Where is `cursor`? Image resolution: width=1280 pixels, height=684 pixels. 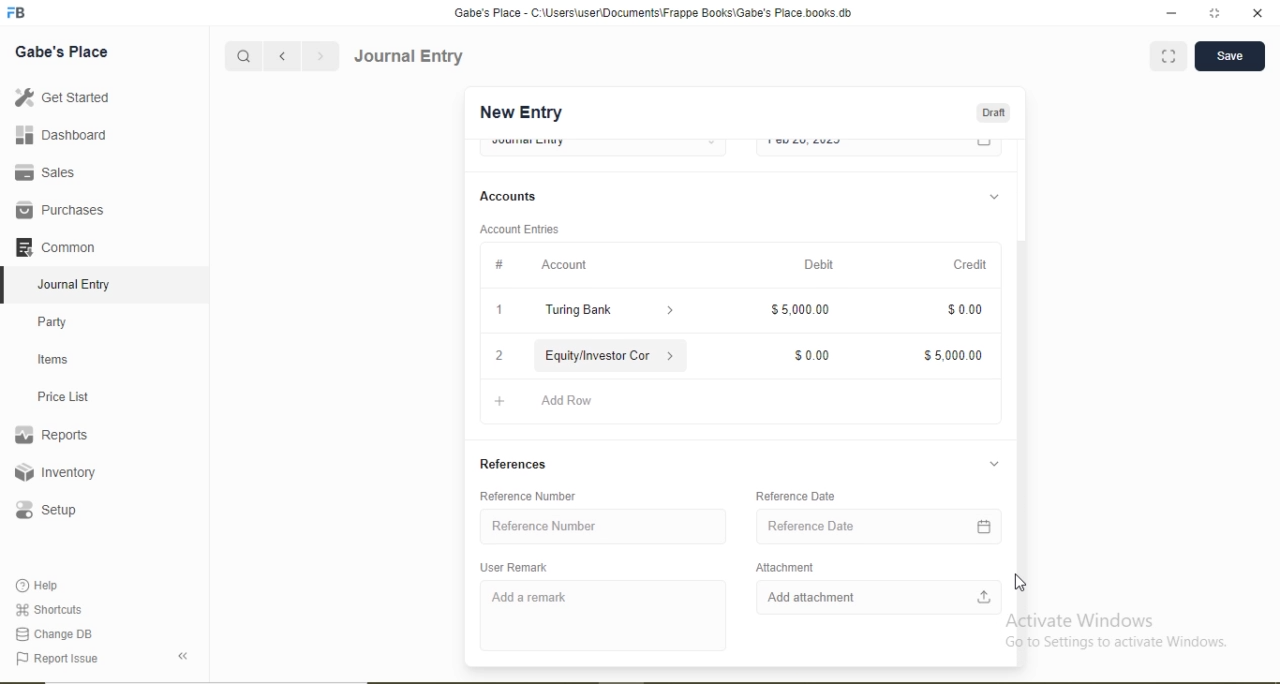 cursor is located at coordinates (1026, 583).